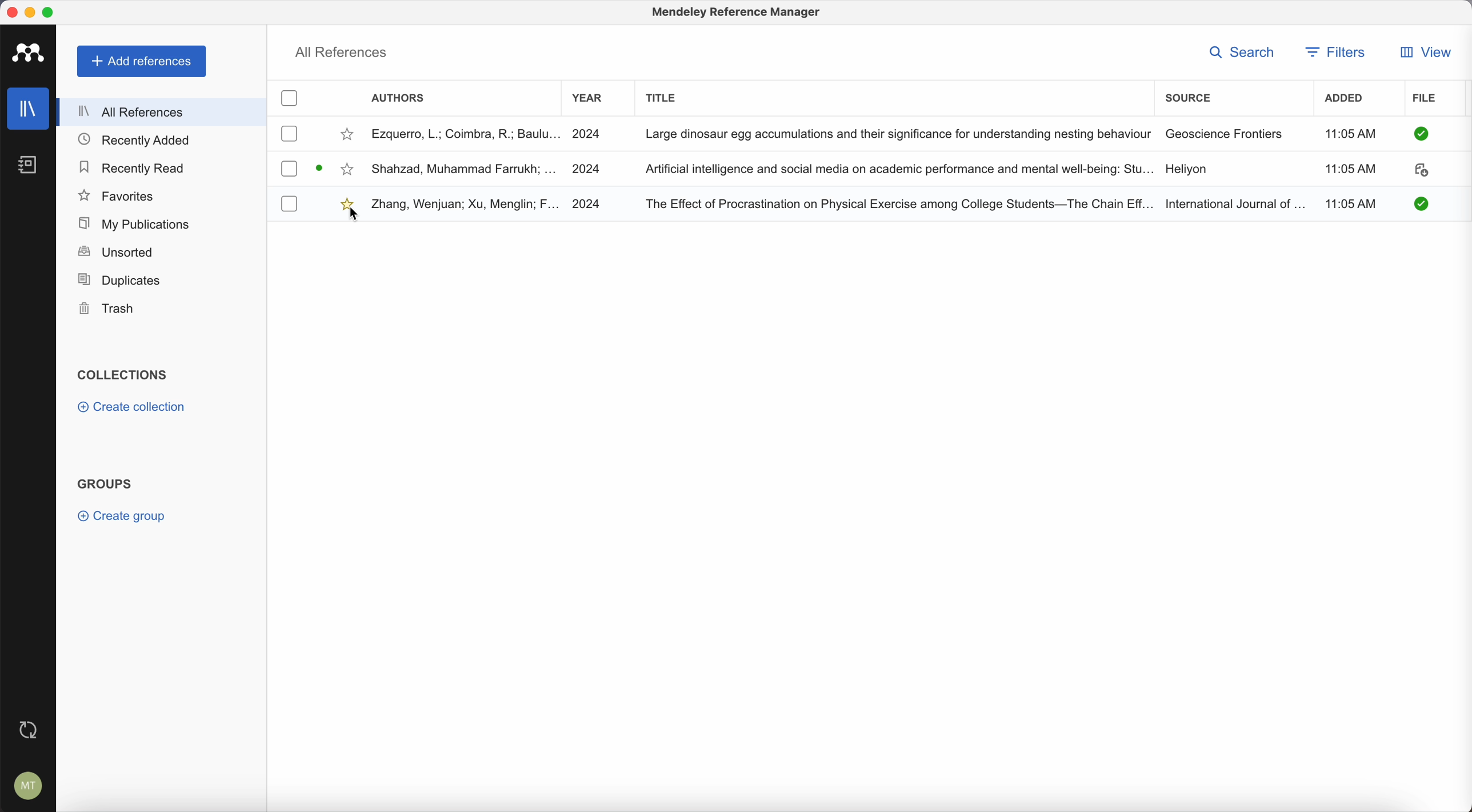 This screenshot has height=812, width=1472. What do you see at coordinates (1350, 170) in the screenshot?
I see `11:05 AM` at bounding box center [1350, 170].